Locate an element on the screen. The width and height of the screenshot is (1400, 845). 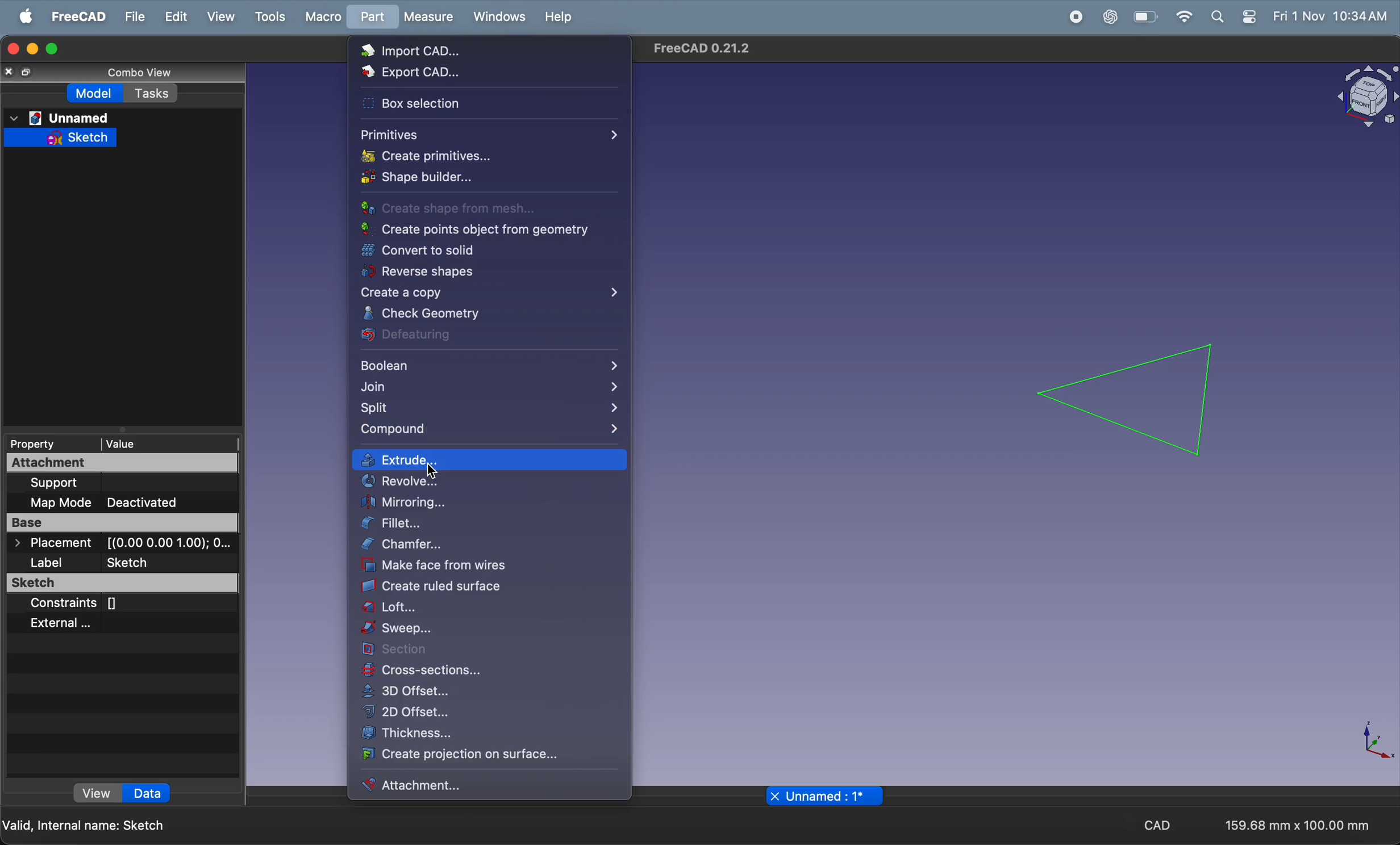
place ment is located at coordinates (124, 544).